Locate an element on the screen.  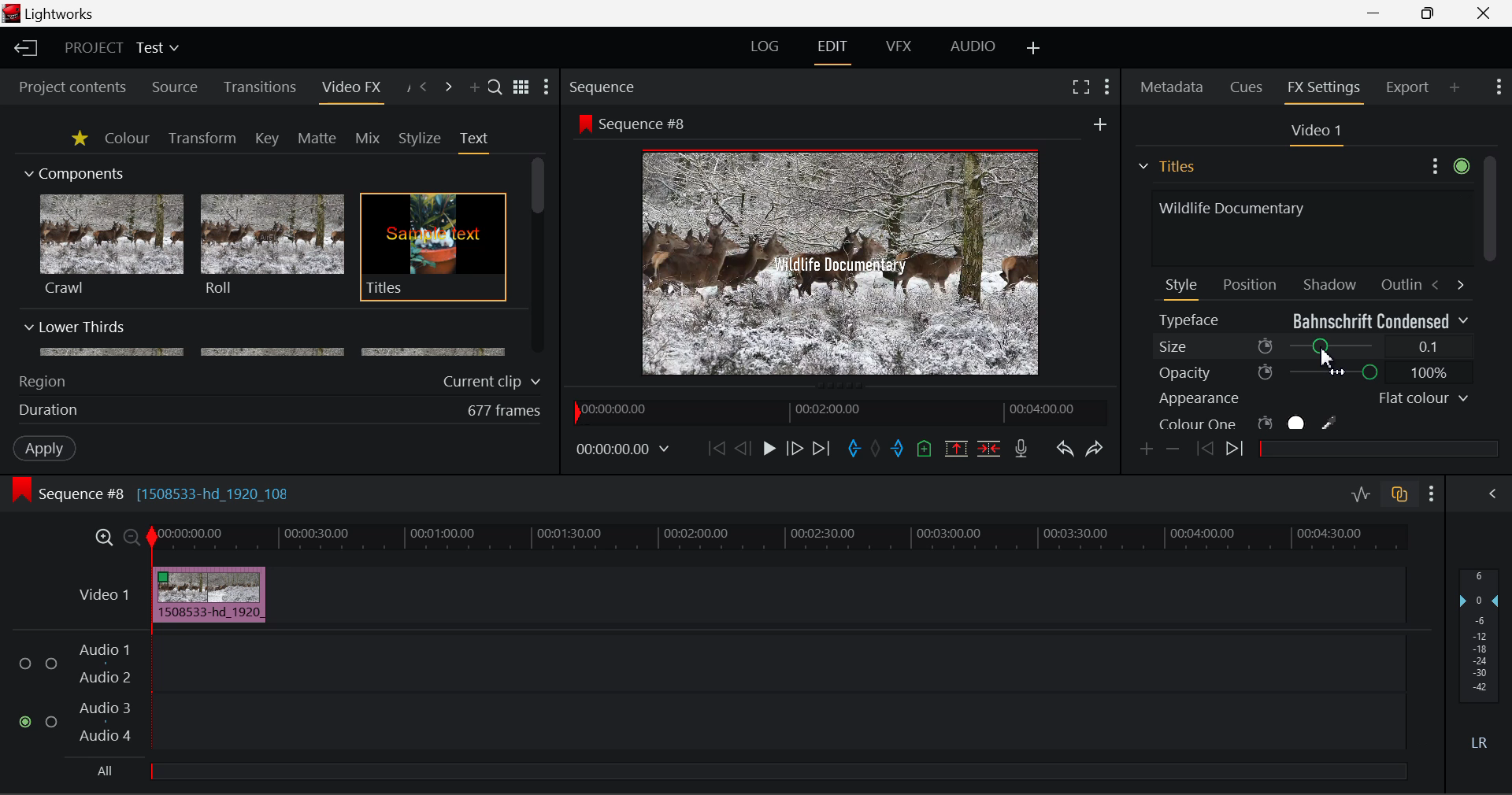
Export is located at coordinates (1408, 87).